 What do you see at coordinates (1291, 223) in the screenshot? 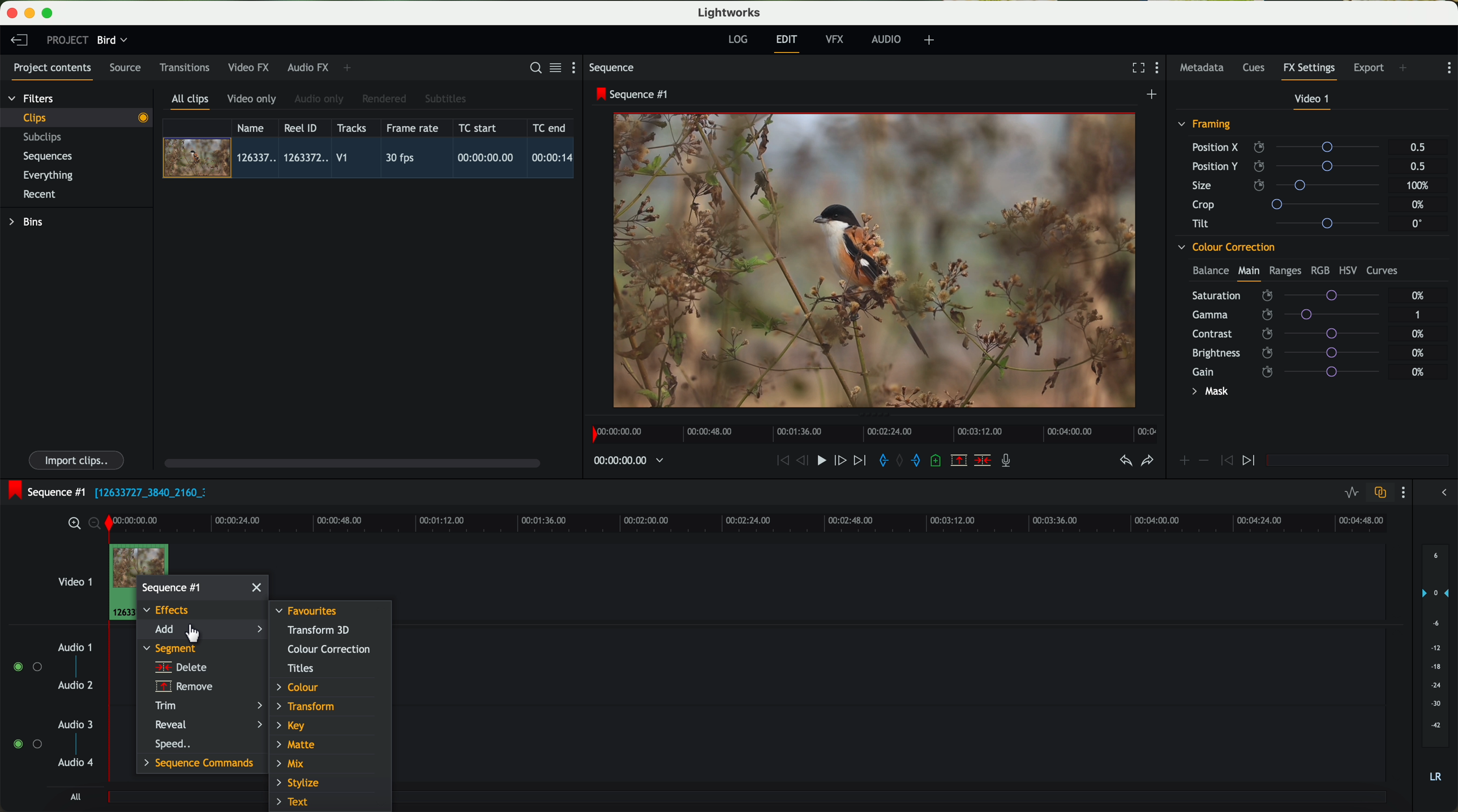
I see `tilt` at bounding box center [1291, 223].